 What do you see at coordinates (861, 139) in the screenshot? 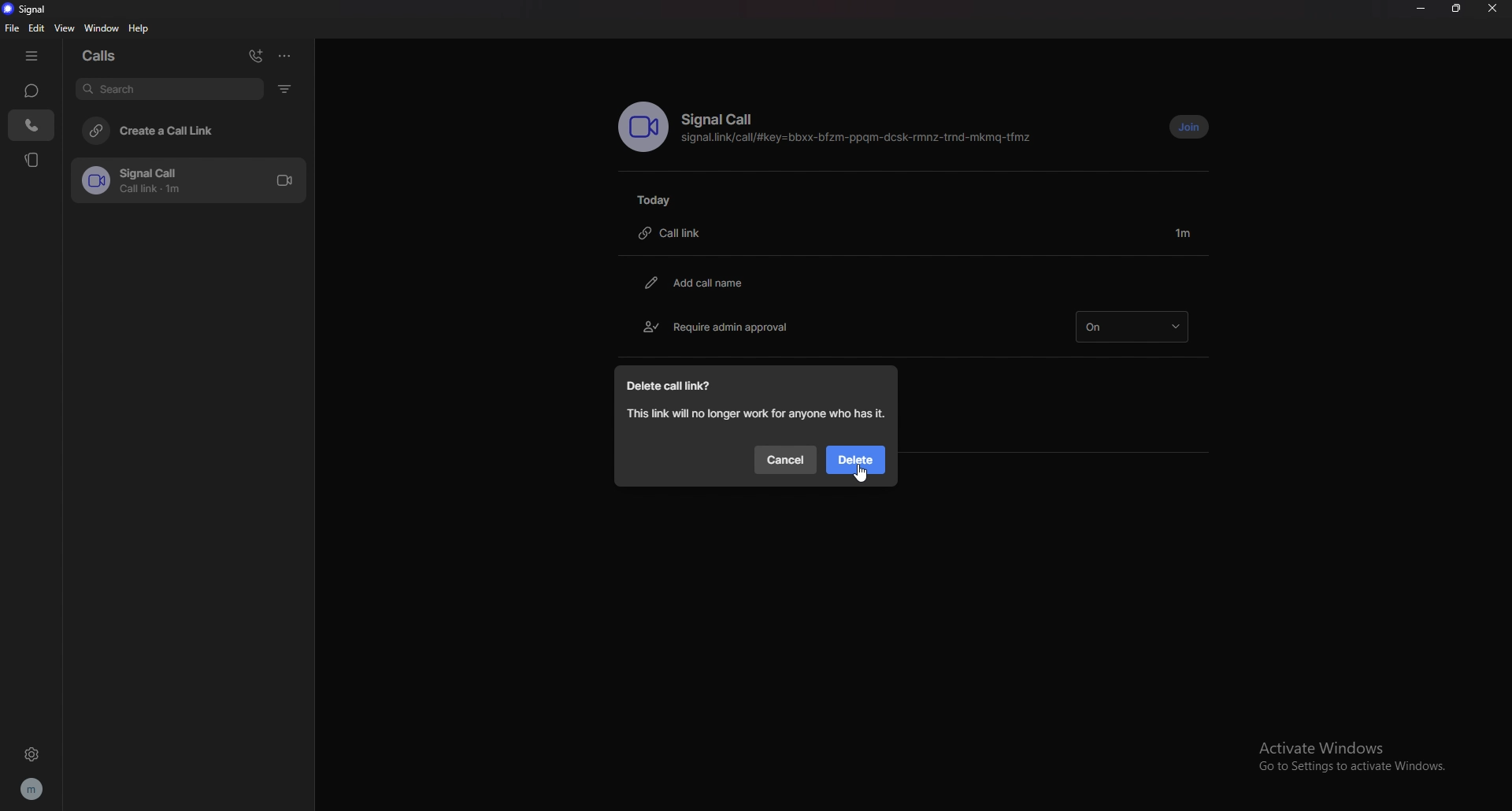
I see `signal.link/call/#key=bbxx-bfzm-ppqm-dcsk-rmnz-trnd-mkmq-tfmz` at bounding box center [861, 139].